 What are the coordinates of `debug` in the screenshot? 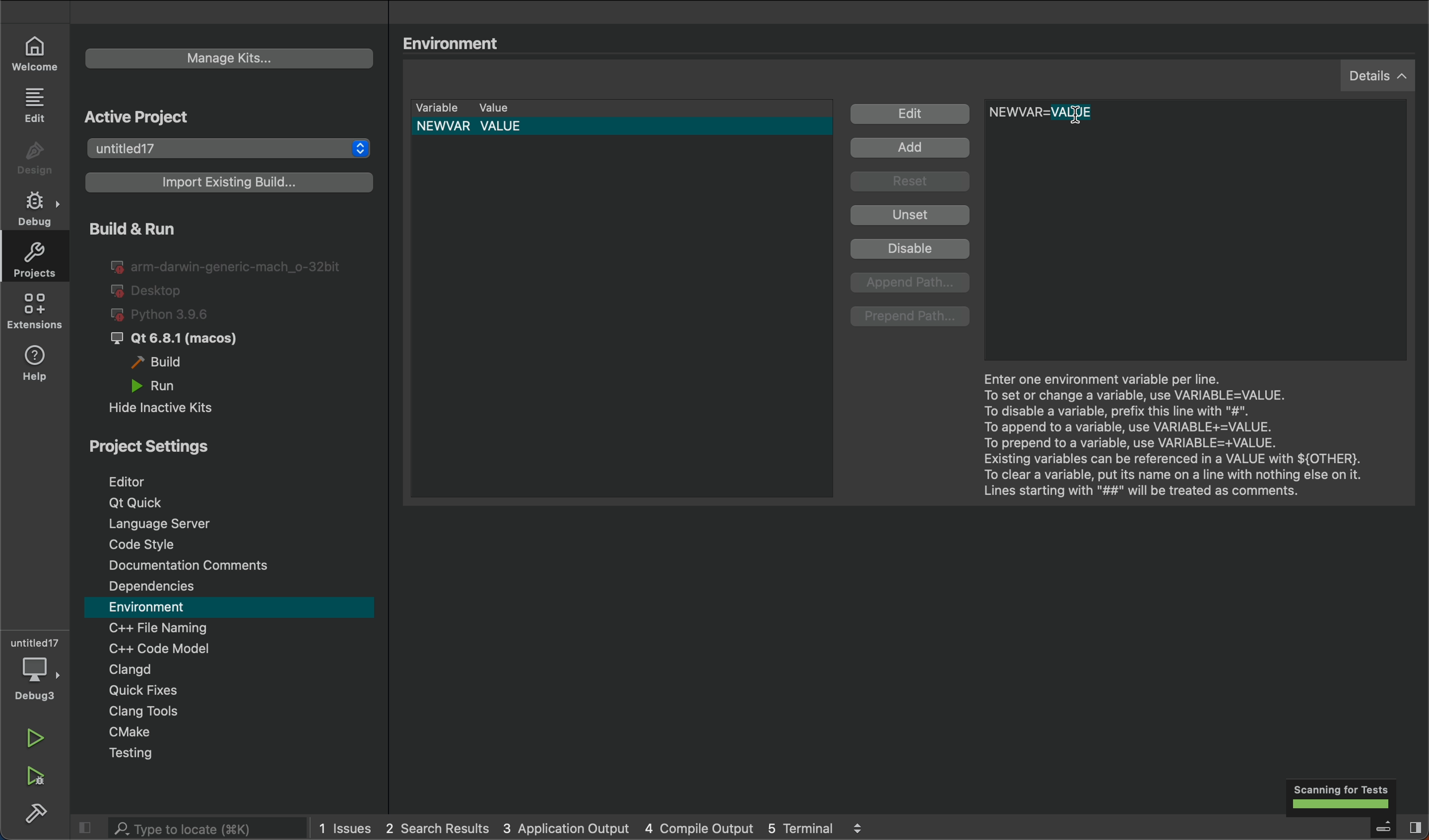 It's located at (39, 669).